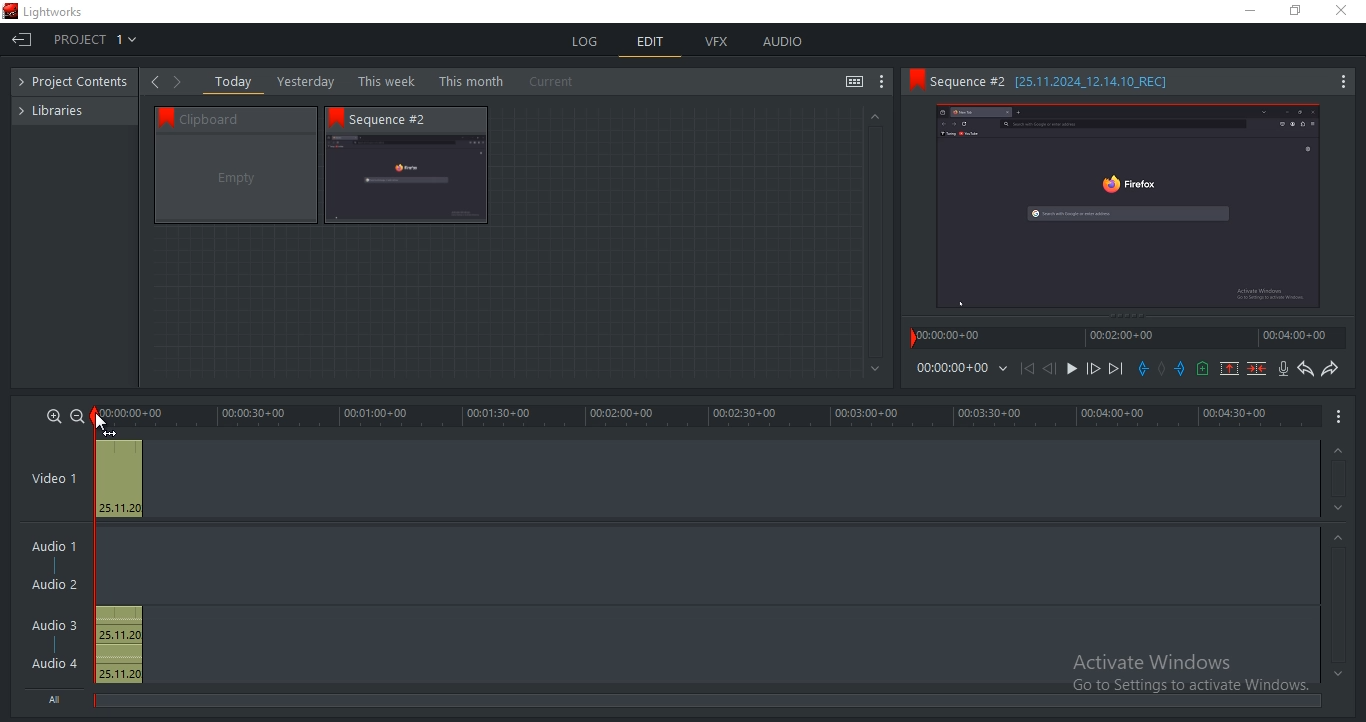  I want to click on restore, so click(1295, 12).